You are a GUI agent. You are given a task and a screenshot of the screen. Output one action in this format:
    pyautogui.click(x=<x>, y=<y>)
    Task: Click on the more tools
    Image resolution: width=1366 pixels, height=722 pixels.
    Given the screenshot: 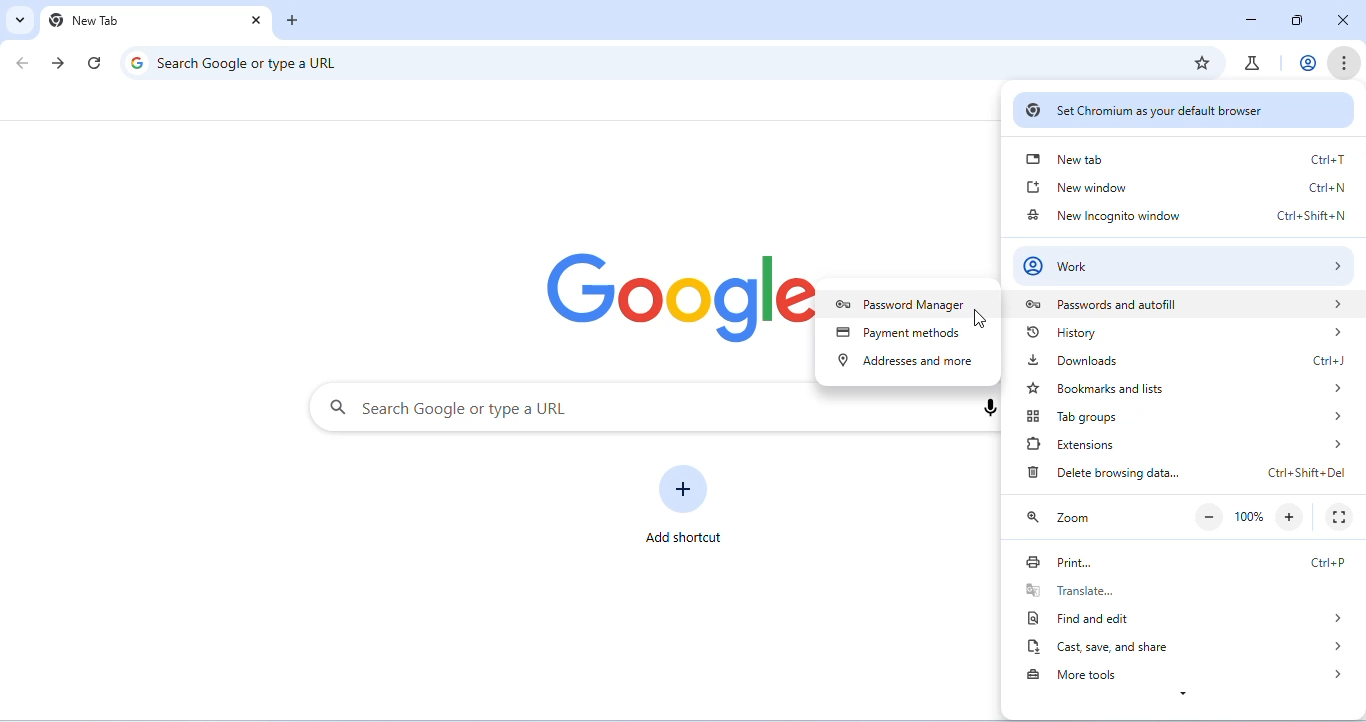 What is the action you would take?
    pyautogui.click(x=1186, y=673)
    